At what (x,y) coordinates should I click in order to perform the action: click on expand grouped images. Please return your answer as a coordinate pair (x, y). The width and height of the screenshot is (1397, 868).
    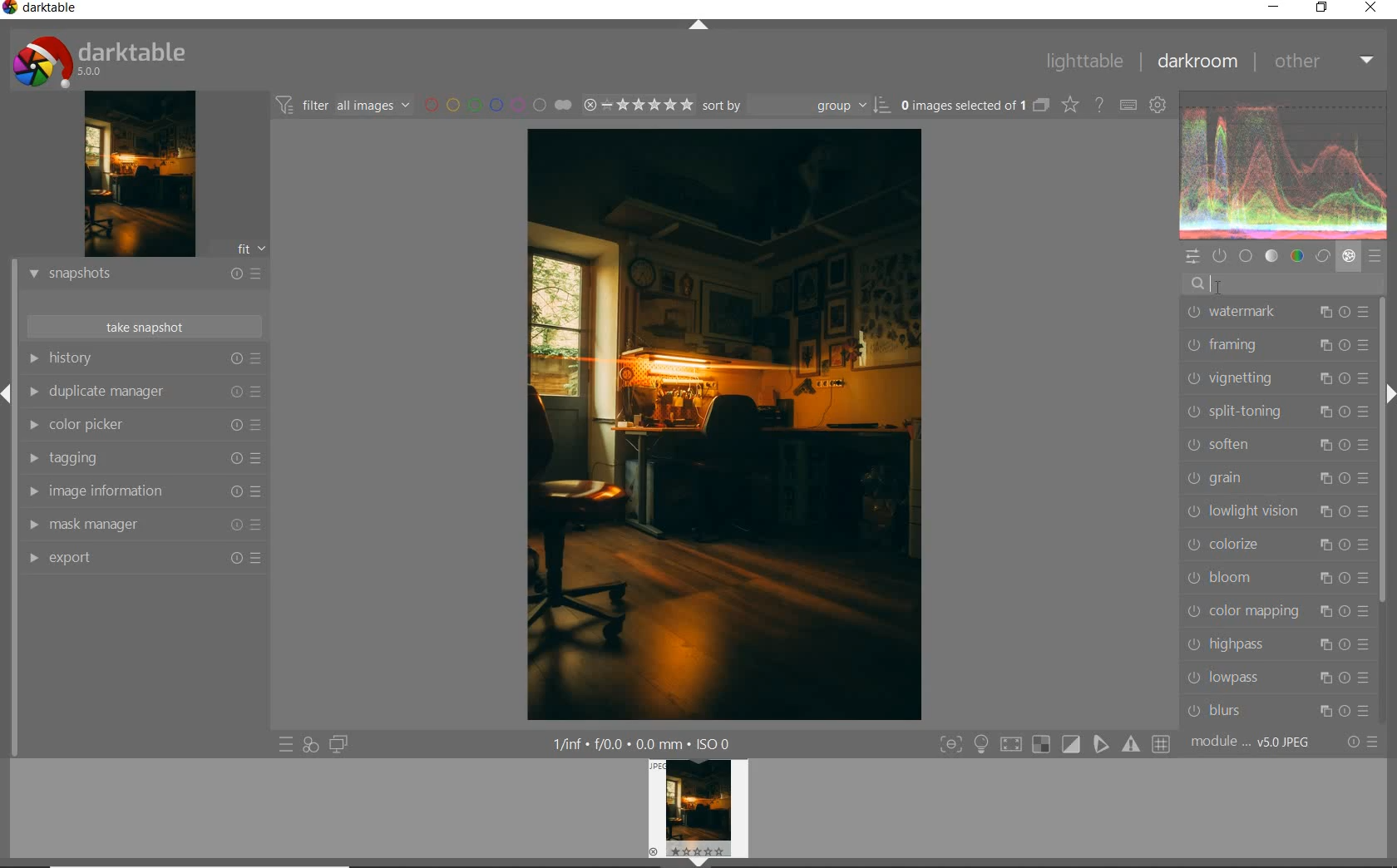
    Looking at the image, I should click on (975, 105).